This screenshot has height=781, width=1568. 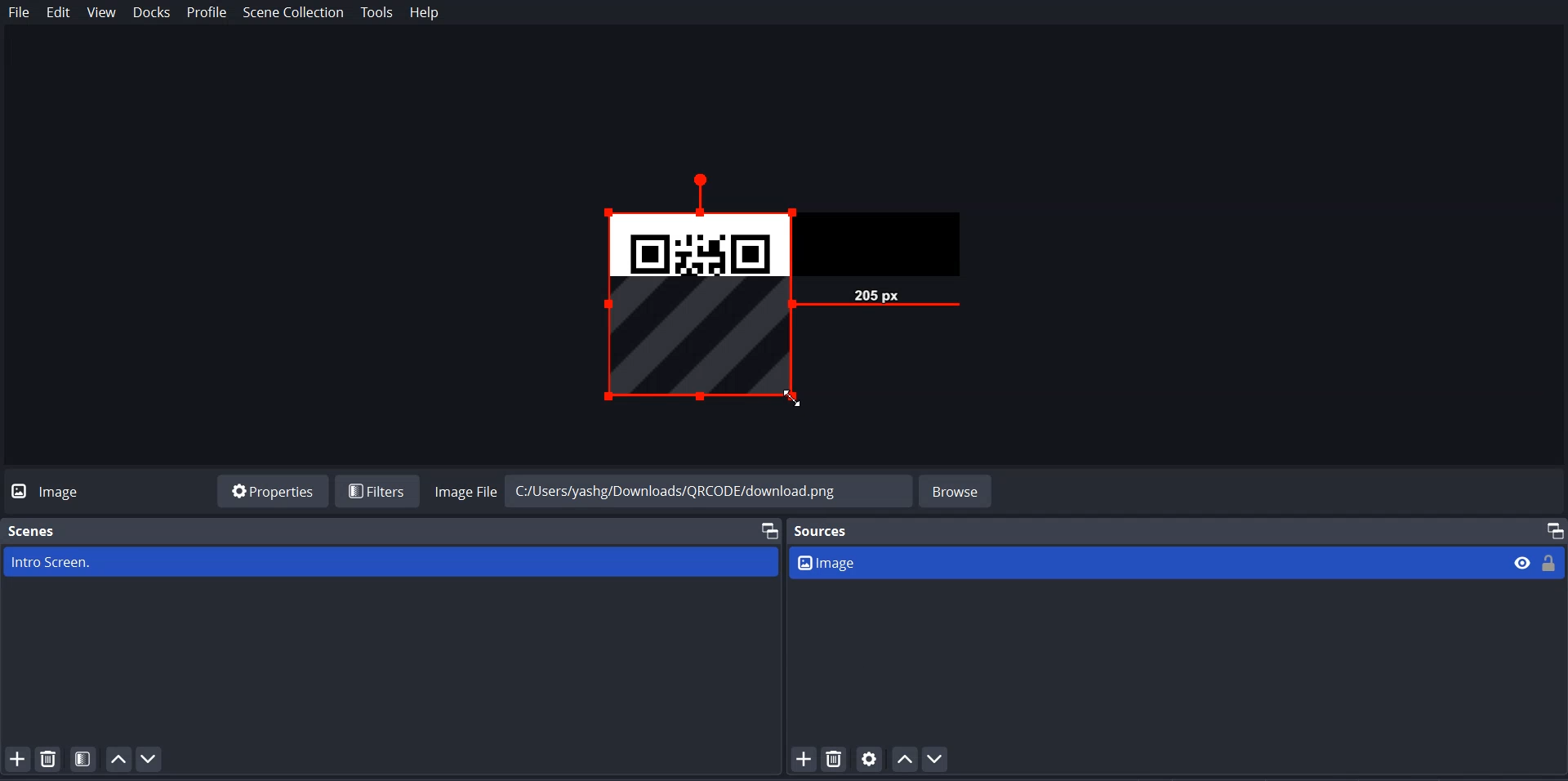 What do you see at coordinates (835, 759) in the screenshot?
I see `Remove Selected Source` at bounding box center [835, 759].